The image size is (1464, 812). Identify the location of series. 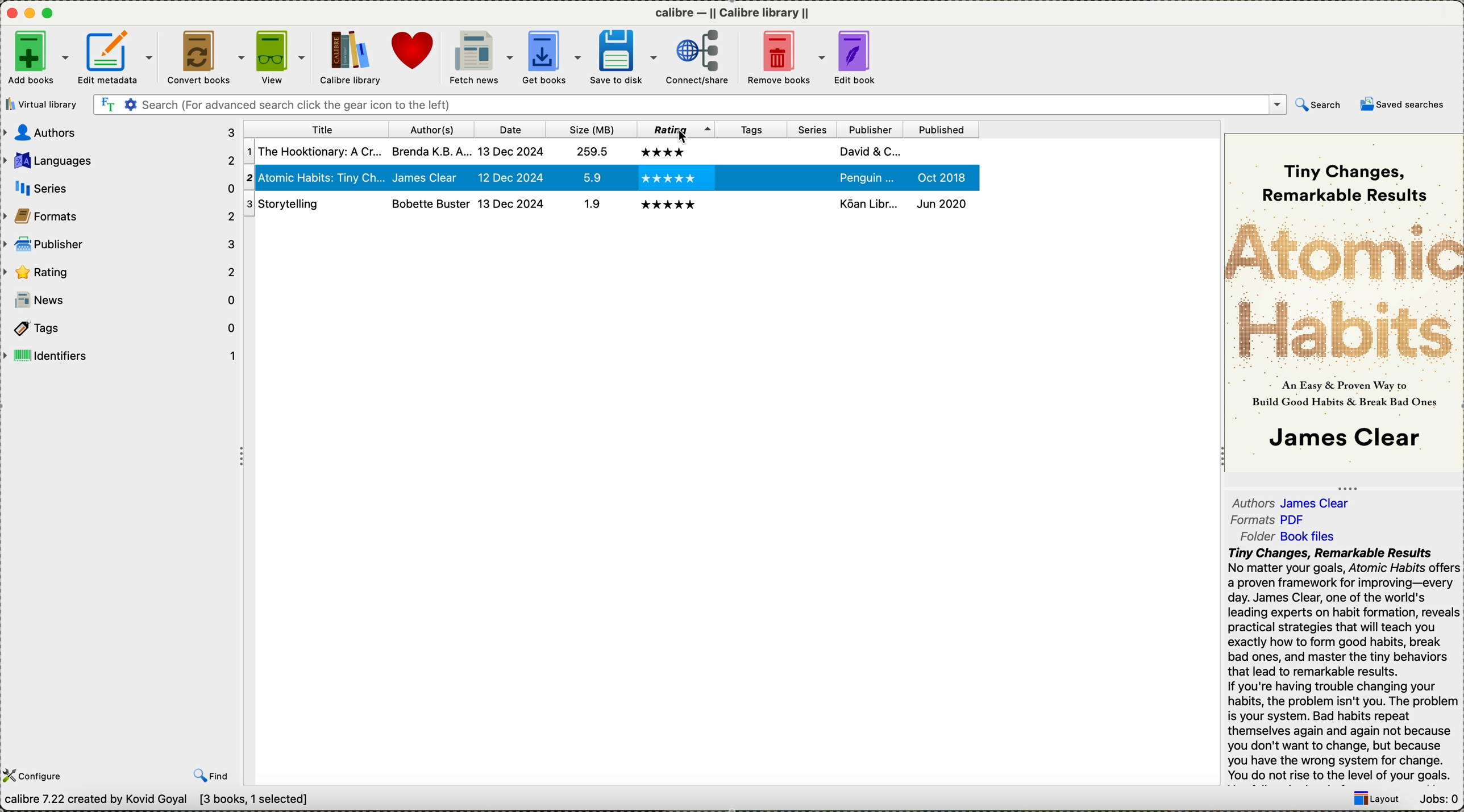
(813, 130).